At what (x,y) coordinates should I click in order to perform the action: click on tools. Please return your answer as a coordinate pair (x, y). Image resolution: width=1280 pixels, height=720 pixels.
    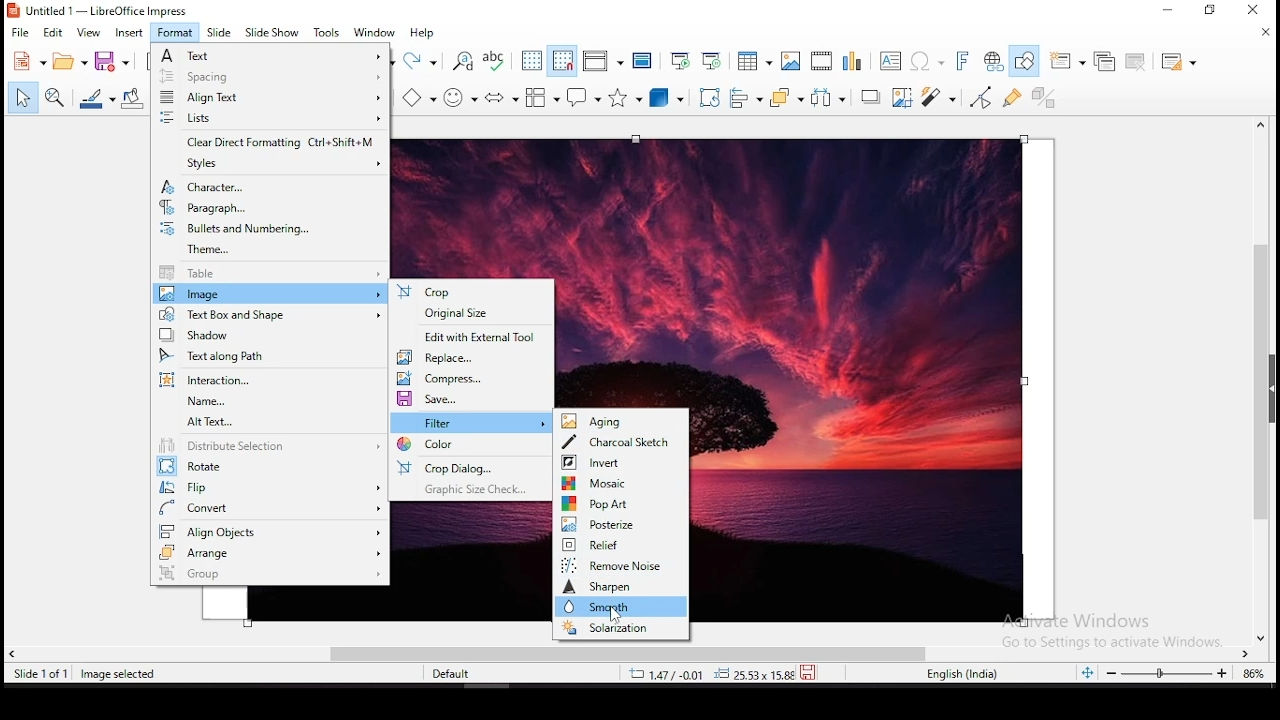
    Looking at the image, I should click on (326, 32).